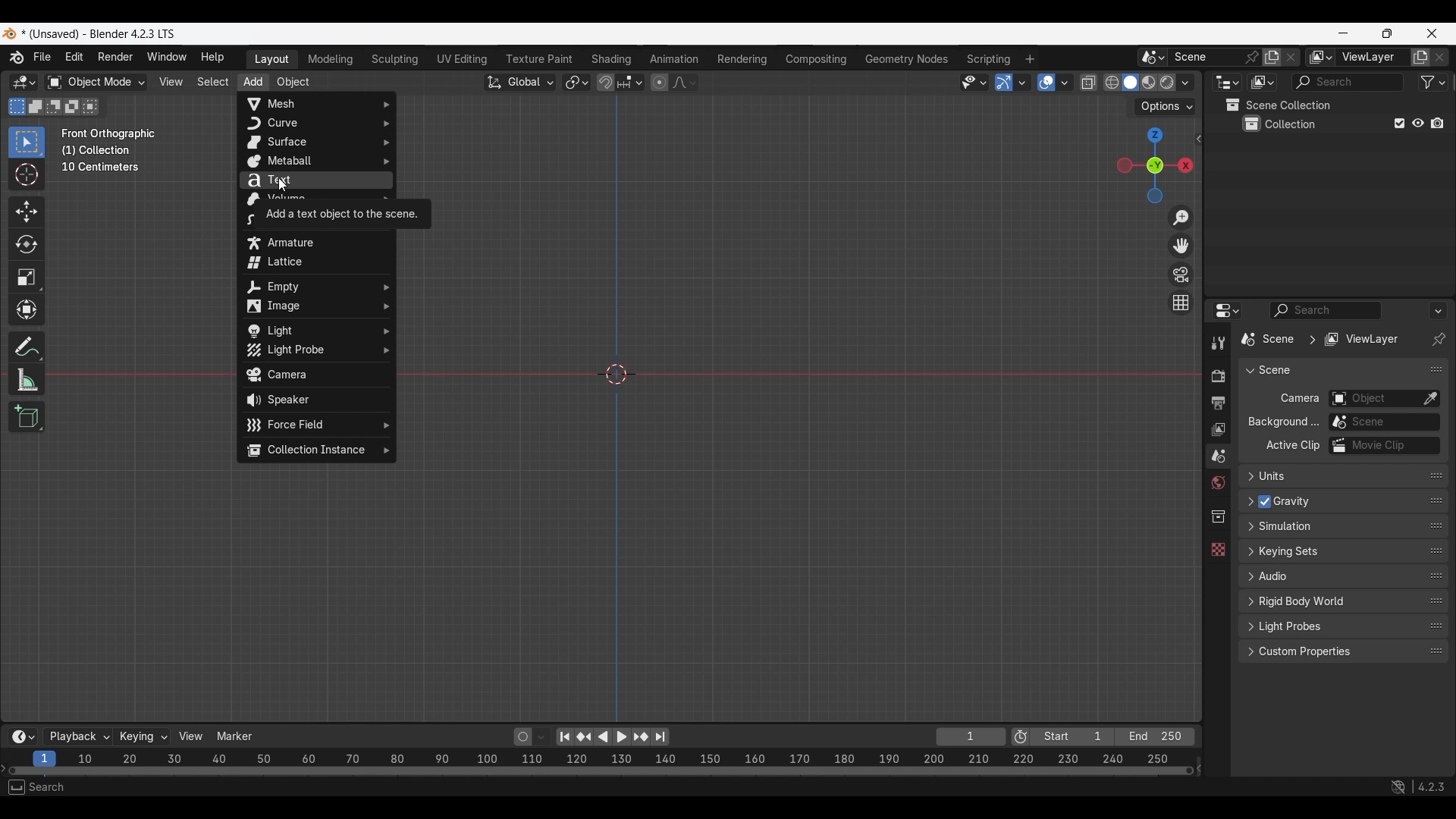 The width and height of the screenshot is (1456, 819). I want to click on Click to see more edit options, so click(1197, 139).